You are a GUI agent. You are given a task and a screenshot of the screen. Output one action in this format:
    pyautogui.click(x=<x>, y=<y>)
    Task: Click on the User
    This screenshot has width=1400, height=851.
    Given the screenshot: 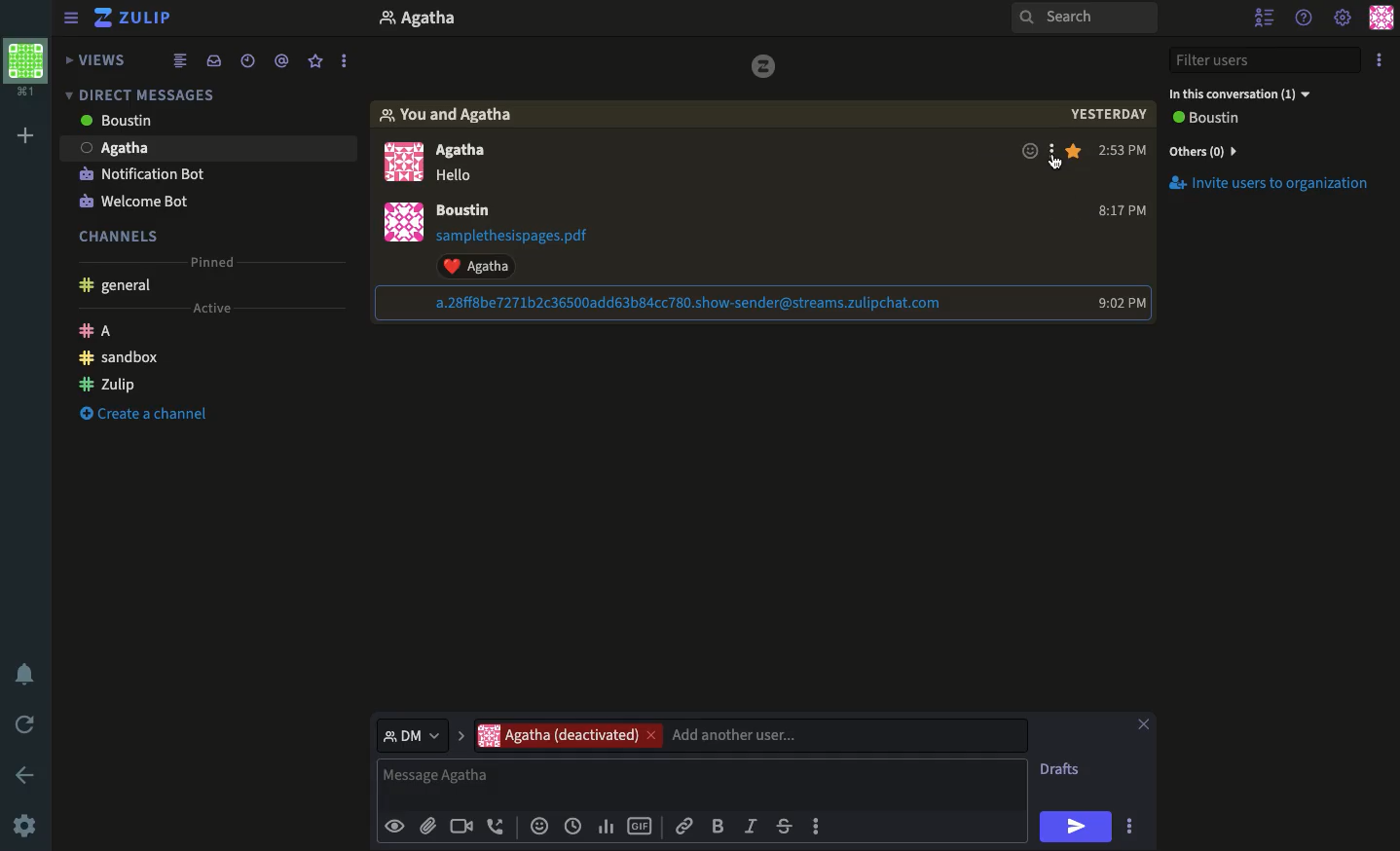 What is the action you would take?
    pyautogui.click(x=439, y=20)
    